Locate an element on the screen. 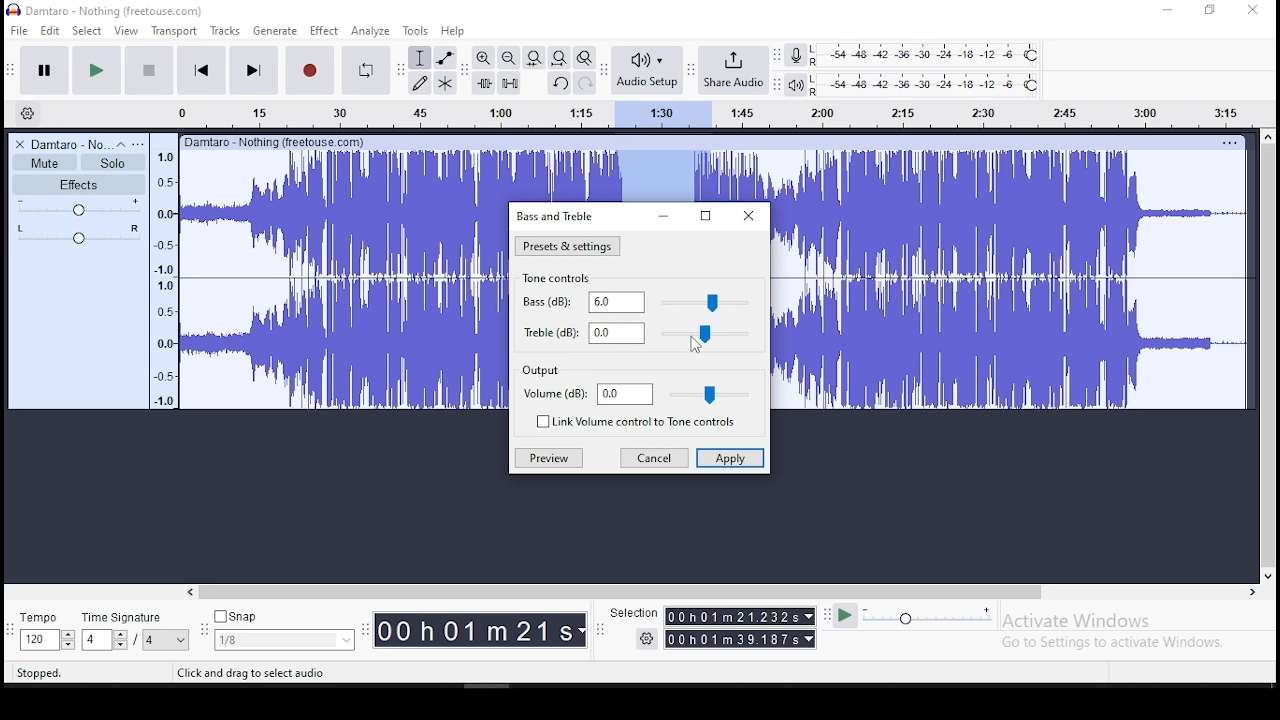 This screenshot has width=1280, height=720.  is located at coordinates (11, 68).